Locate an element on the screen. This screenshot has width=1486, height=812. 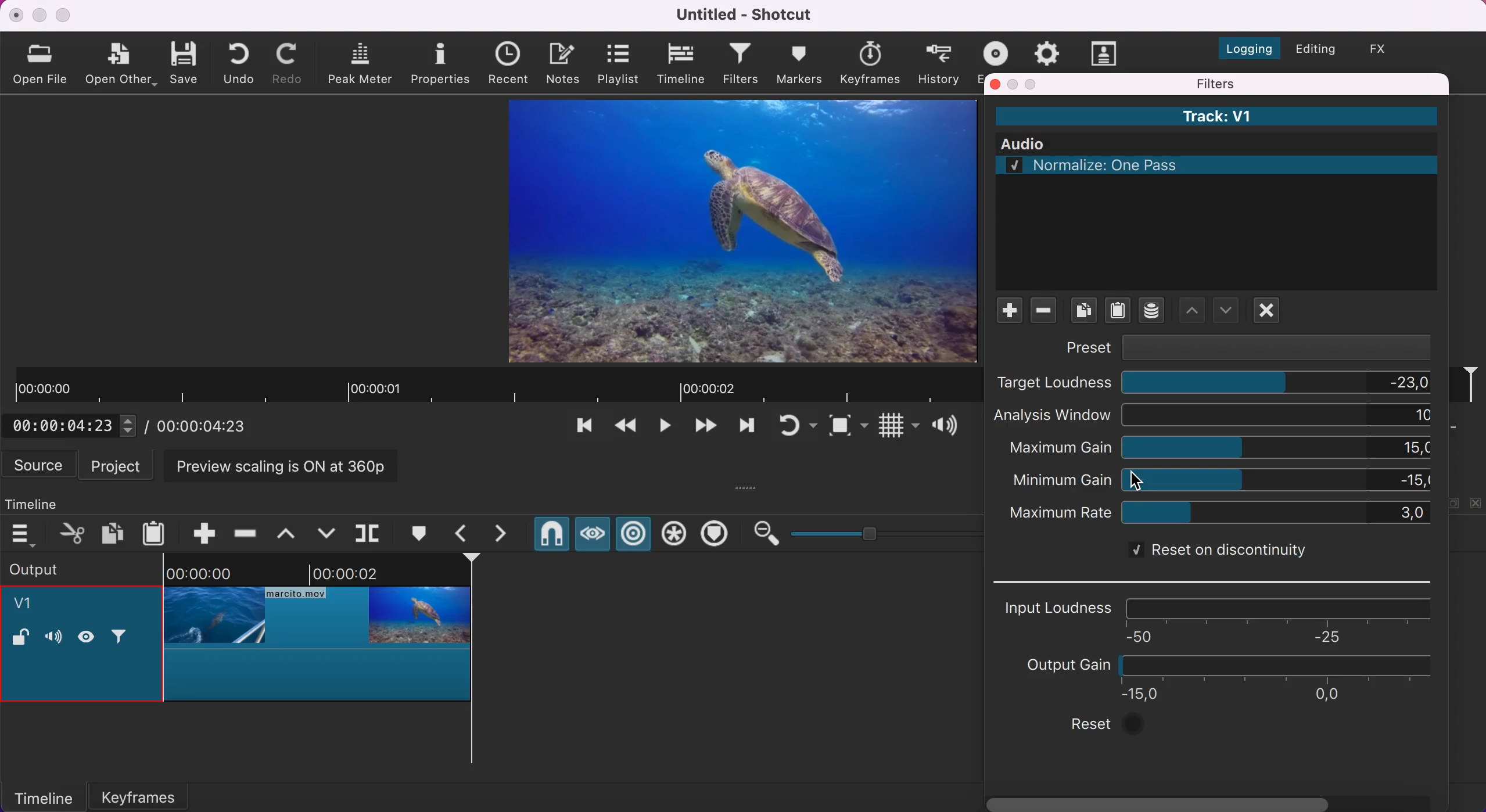
playlist is located at coordinates (618, 63).